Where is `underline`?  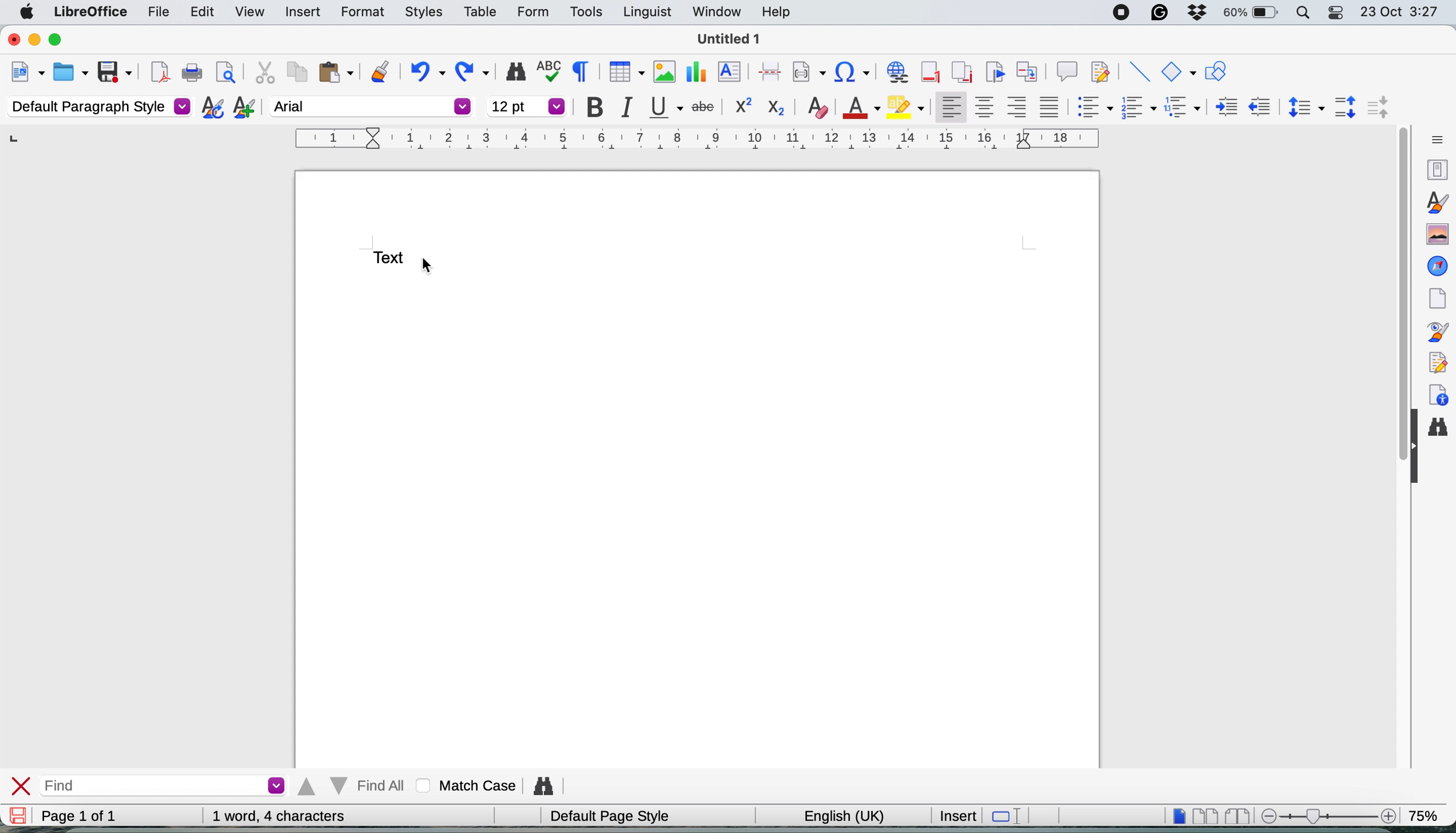 underline is located at coordinates (664, 109).